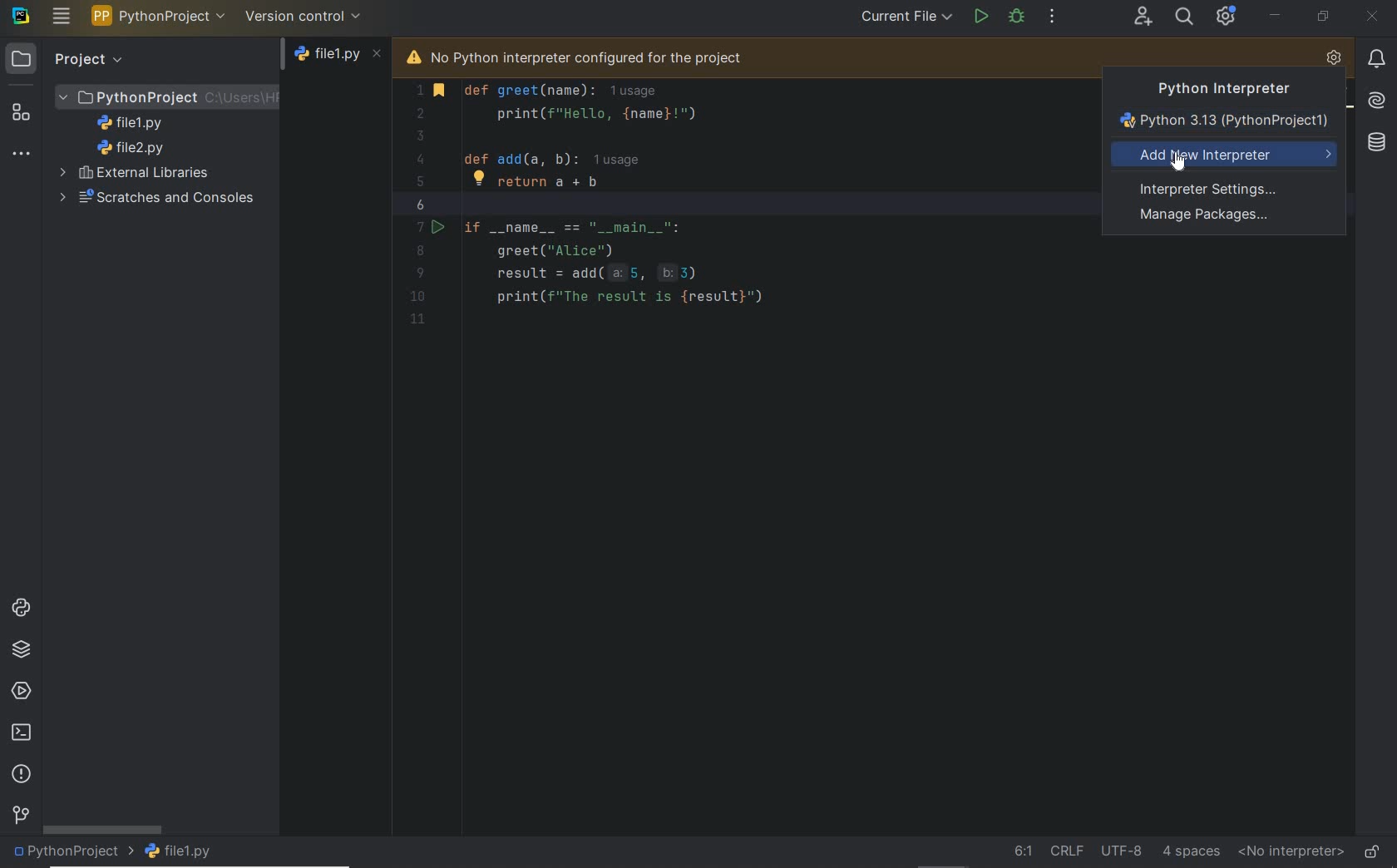  I want to click on project name, so click(72, 853).